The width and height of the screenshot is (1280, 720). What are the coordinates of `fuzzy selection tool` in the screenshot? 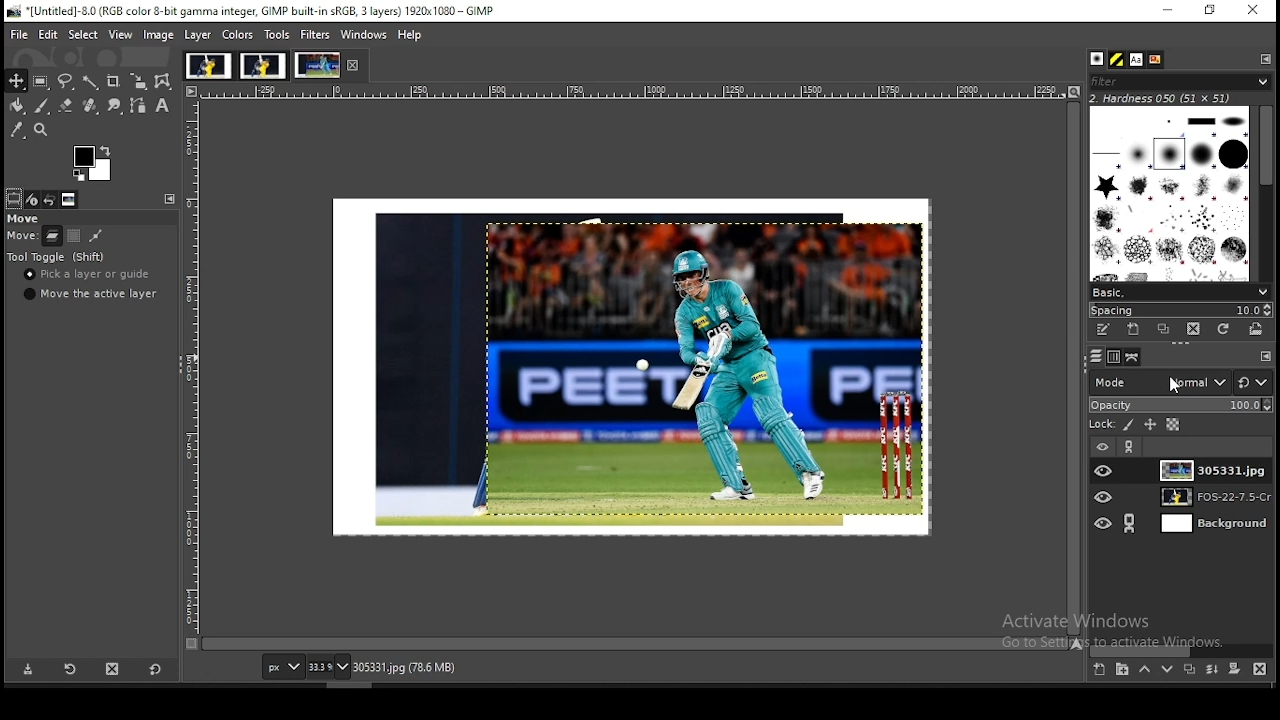 It's located at (90, 82).